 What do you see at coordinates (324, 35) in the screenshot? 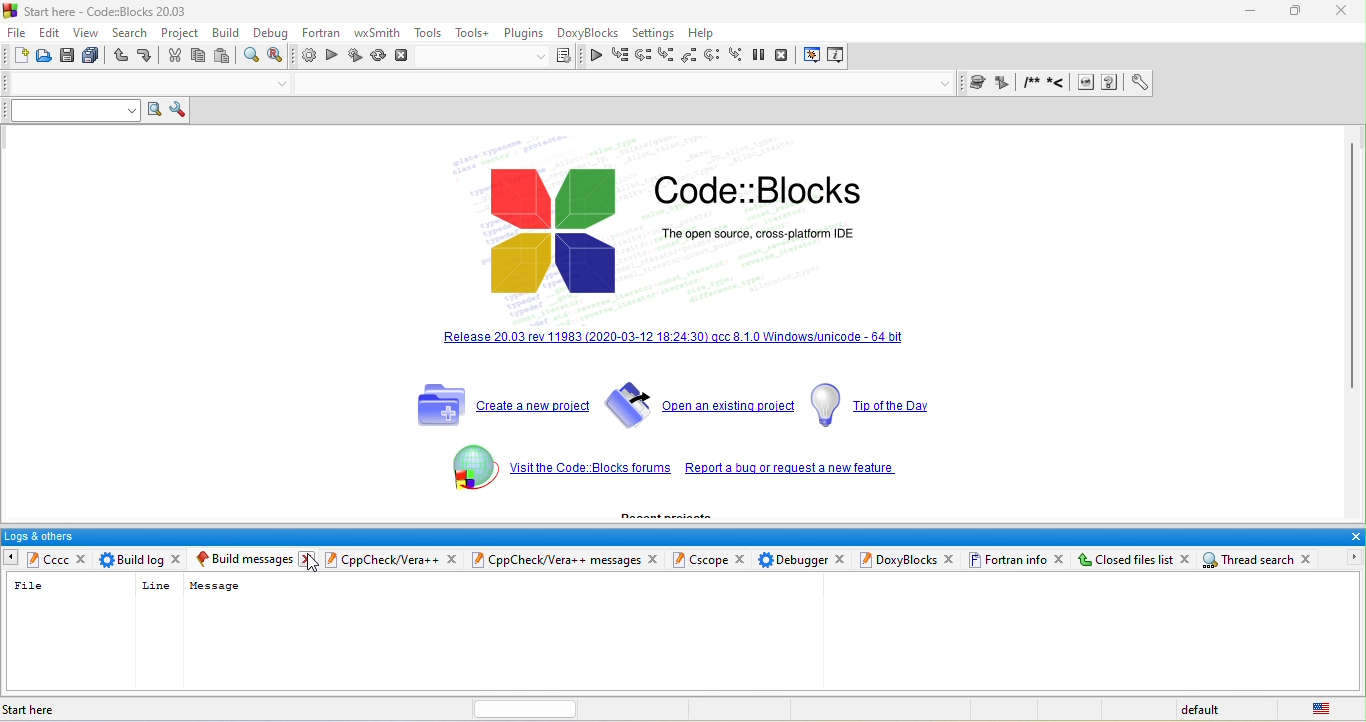
I see `fortran` at bounding box center [324, 35].